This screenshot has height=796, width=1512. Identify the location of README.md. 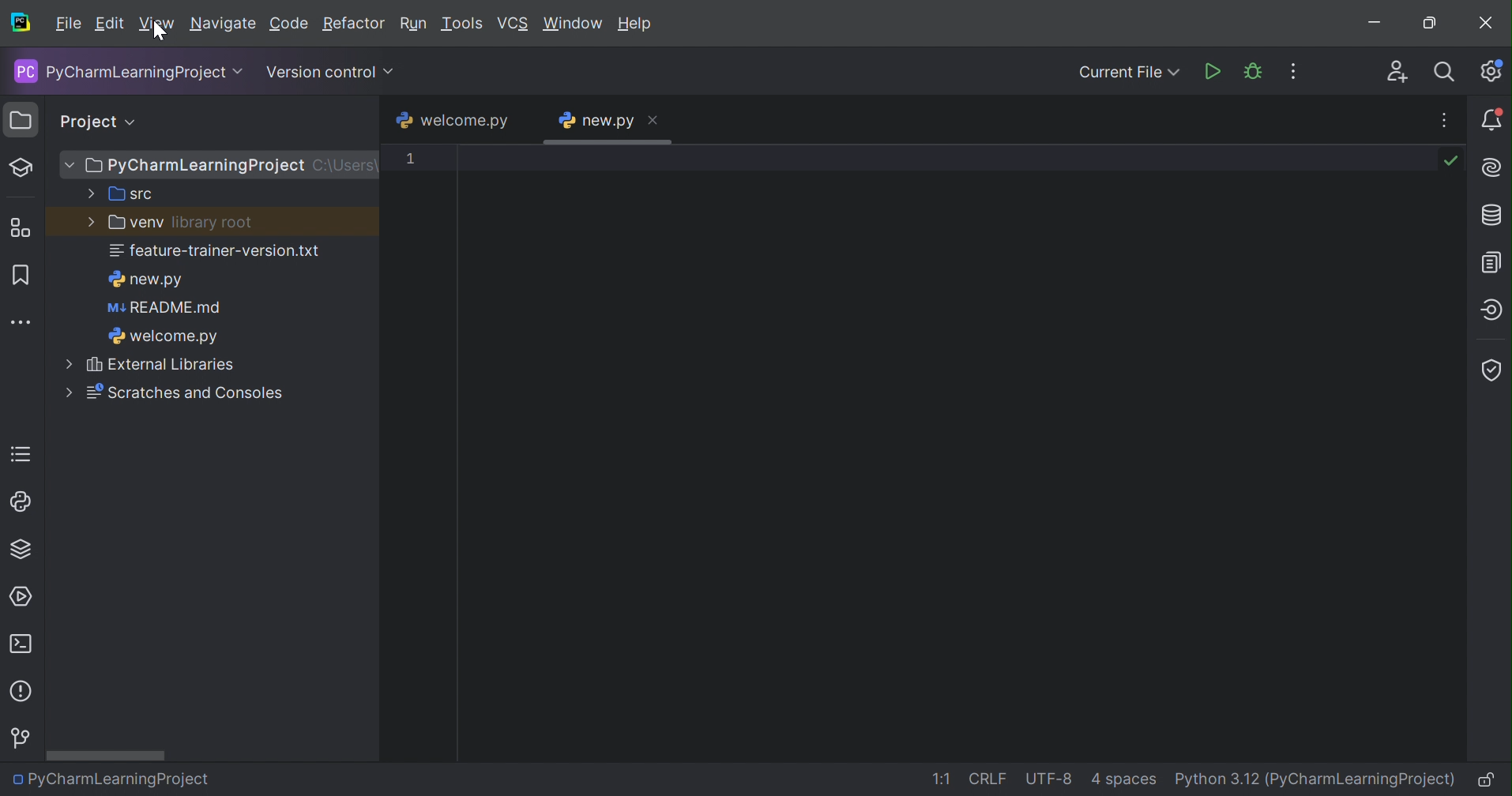
(164, 310).